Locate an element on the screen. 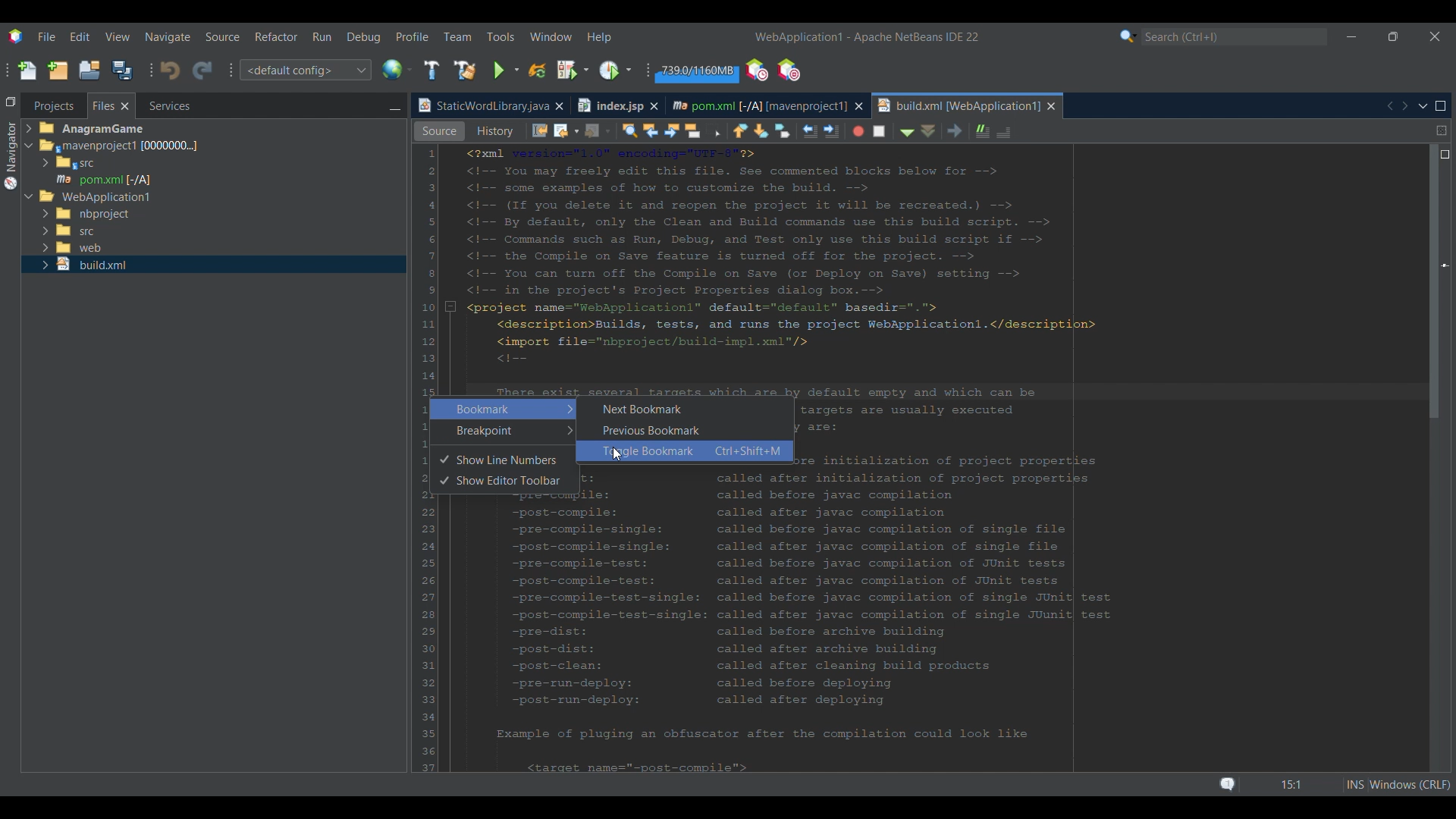 This screenshot has height=819, width=1456. New project is located at coordinates (58, 70).